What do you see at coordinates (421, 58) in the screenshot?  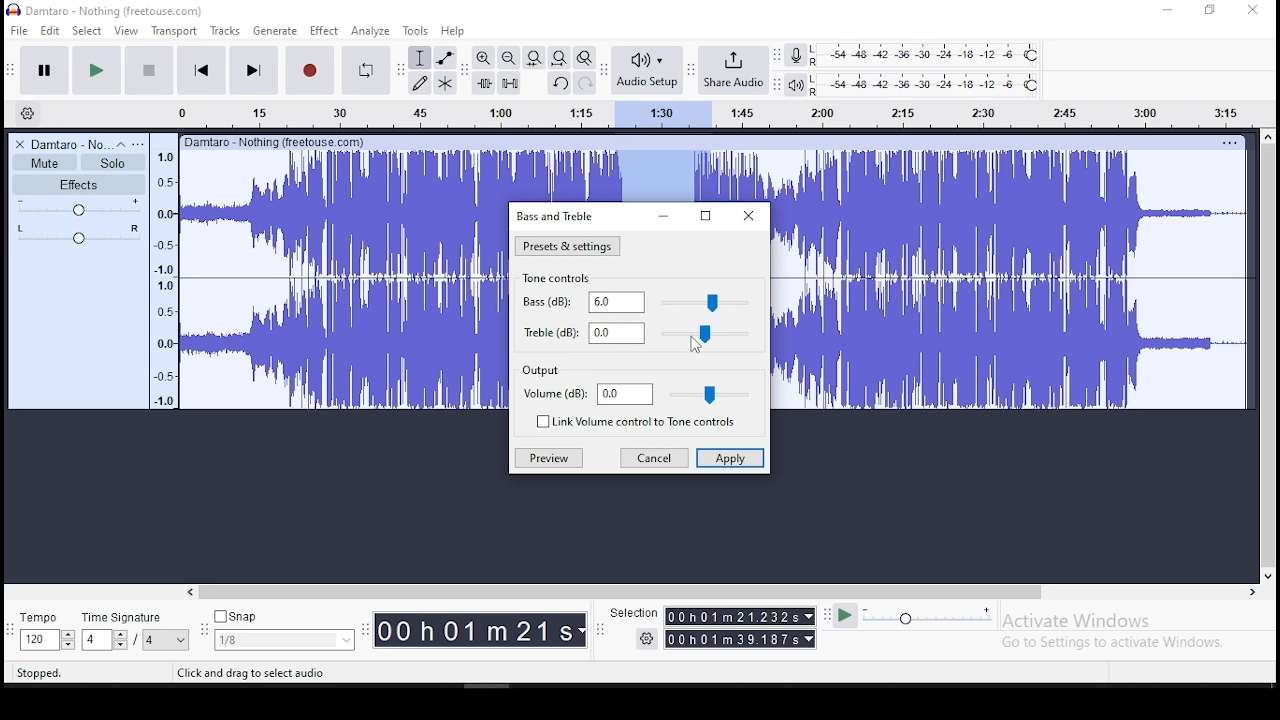 I see `selection tool` at bounding box center [421, 58].